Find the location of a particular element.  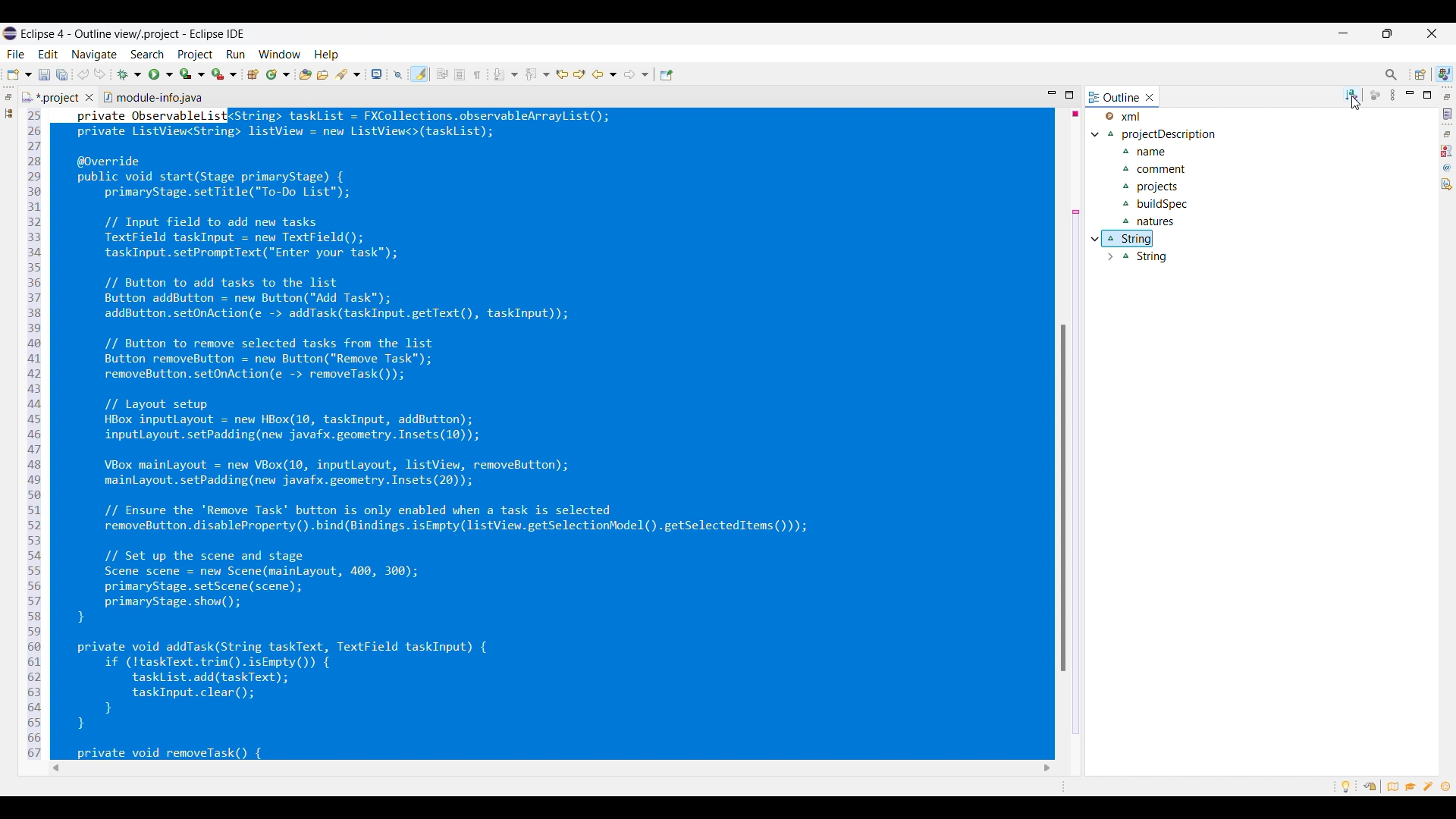

New Java package is located at coordinates (253, 74).